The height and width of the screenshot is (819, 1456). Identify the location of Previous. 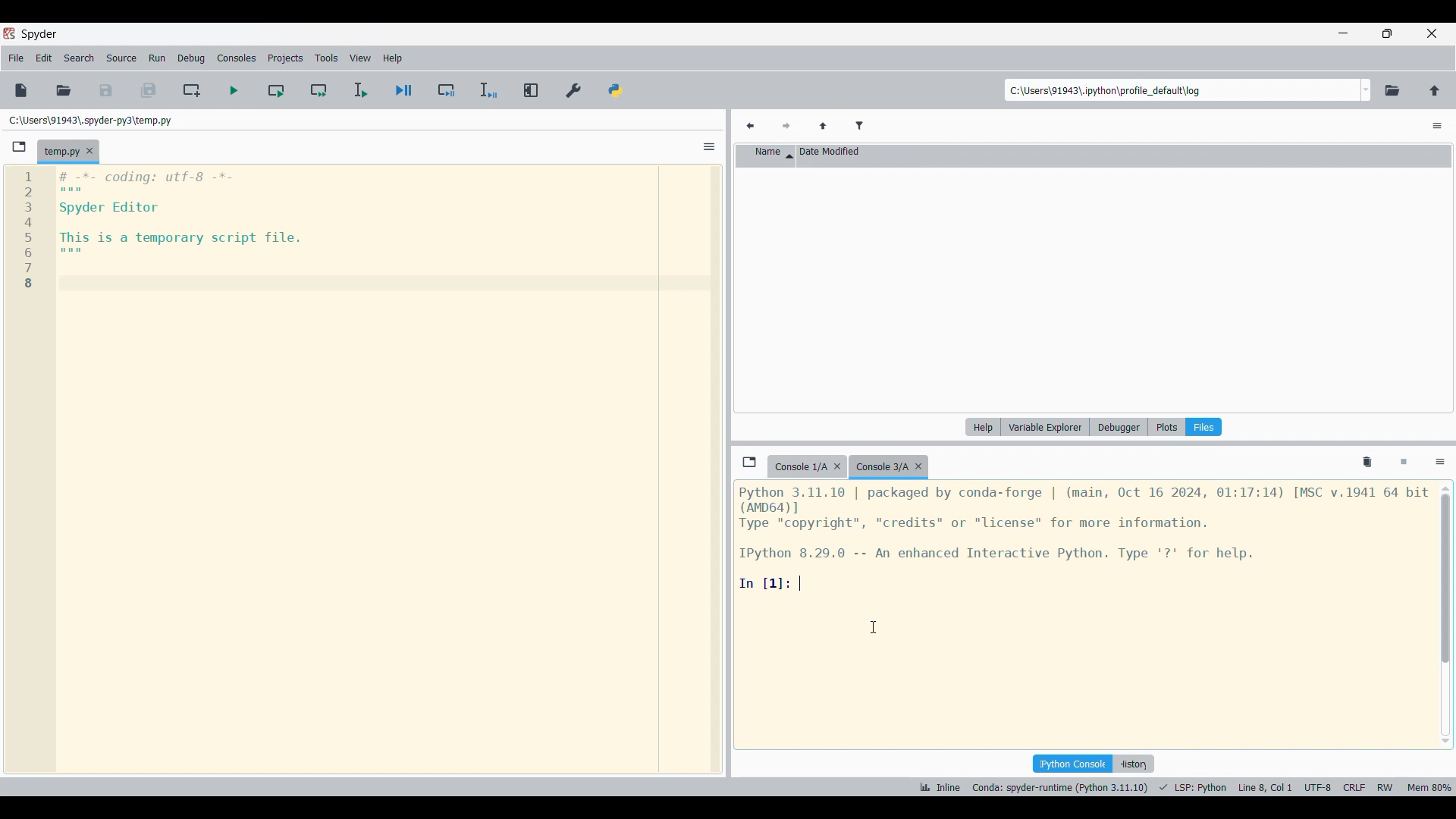
(750, 127).